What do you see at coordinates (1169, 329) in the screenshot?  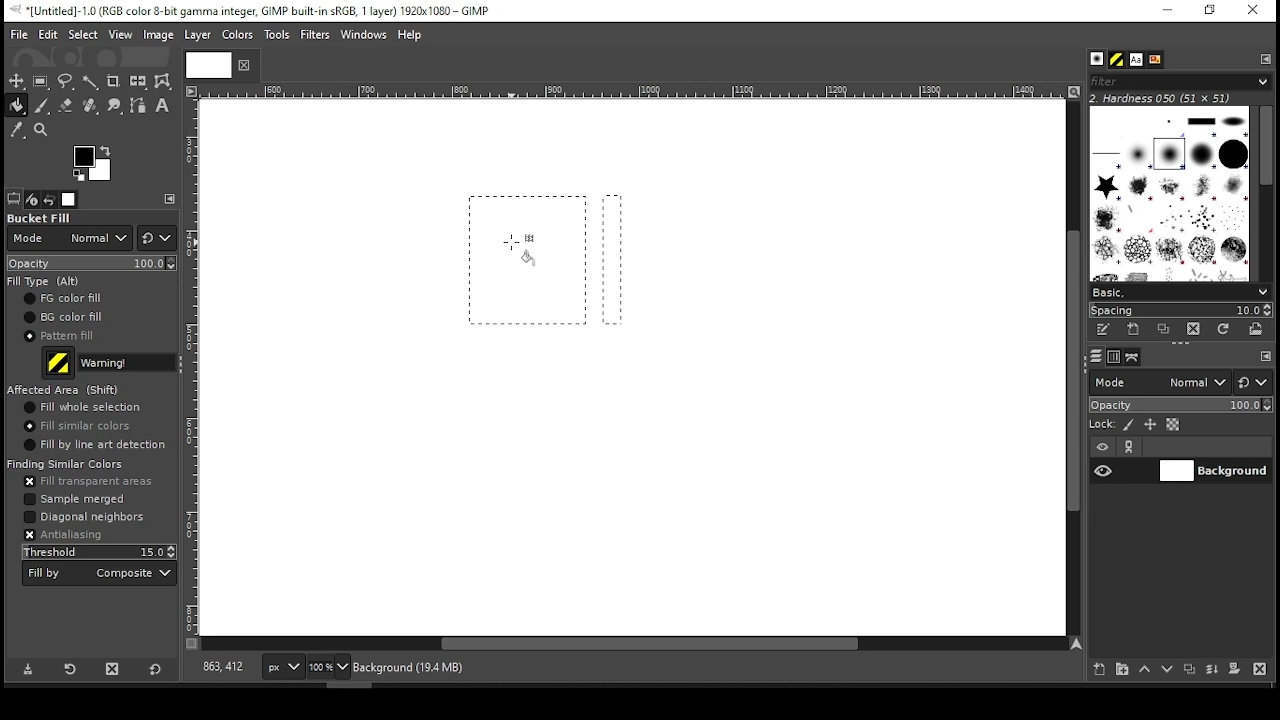 I see `duplicate this brush` at bounding box center [1169, 329].